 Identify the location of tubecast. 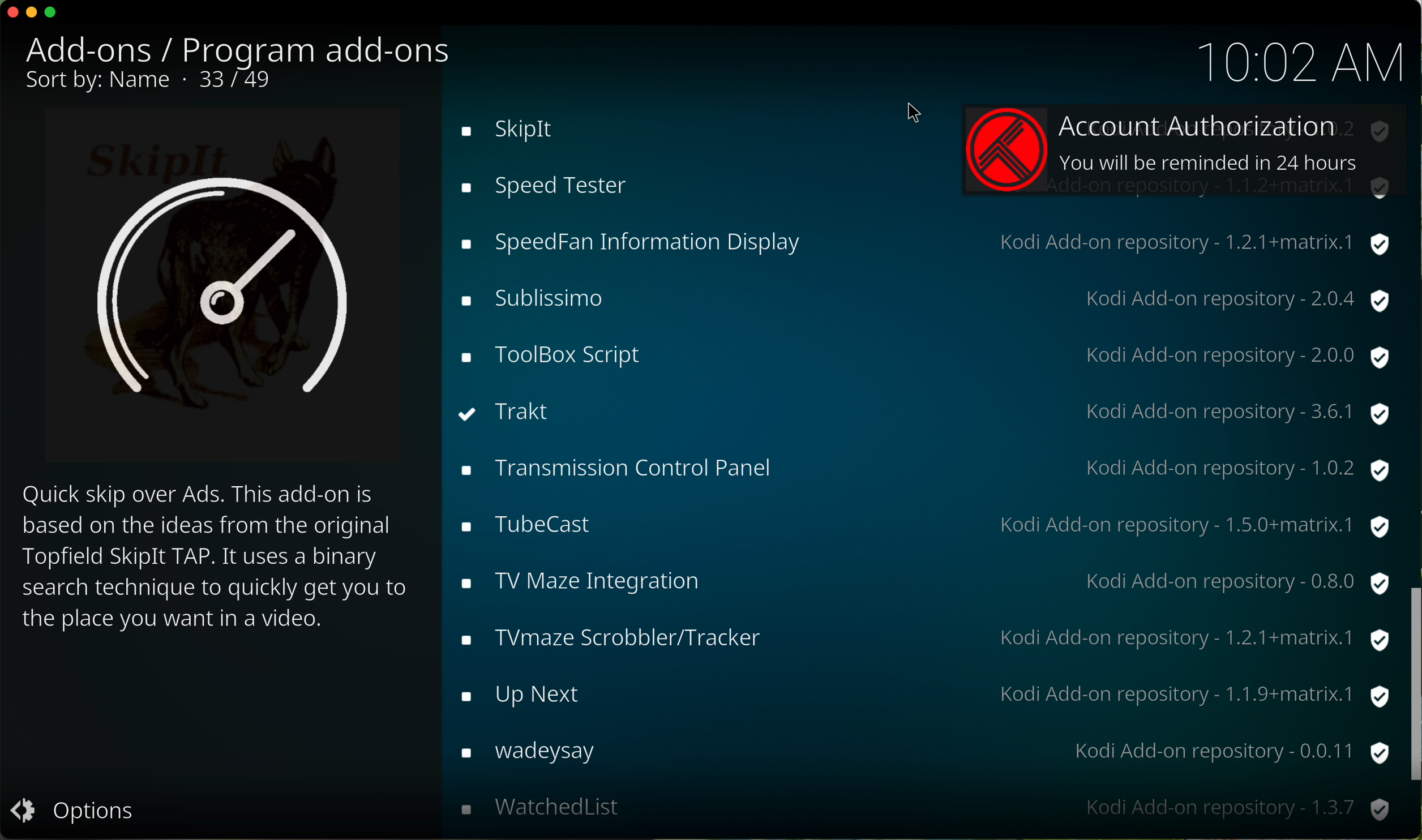
(922, 302).